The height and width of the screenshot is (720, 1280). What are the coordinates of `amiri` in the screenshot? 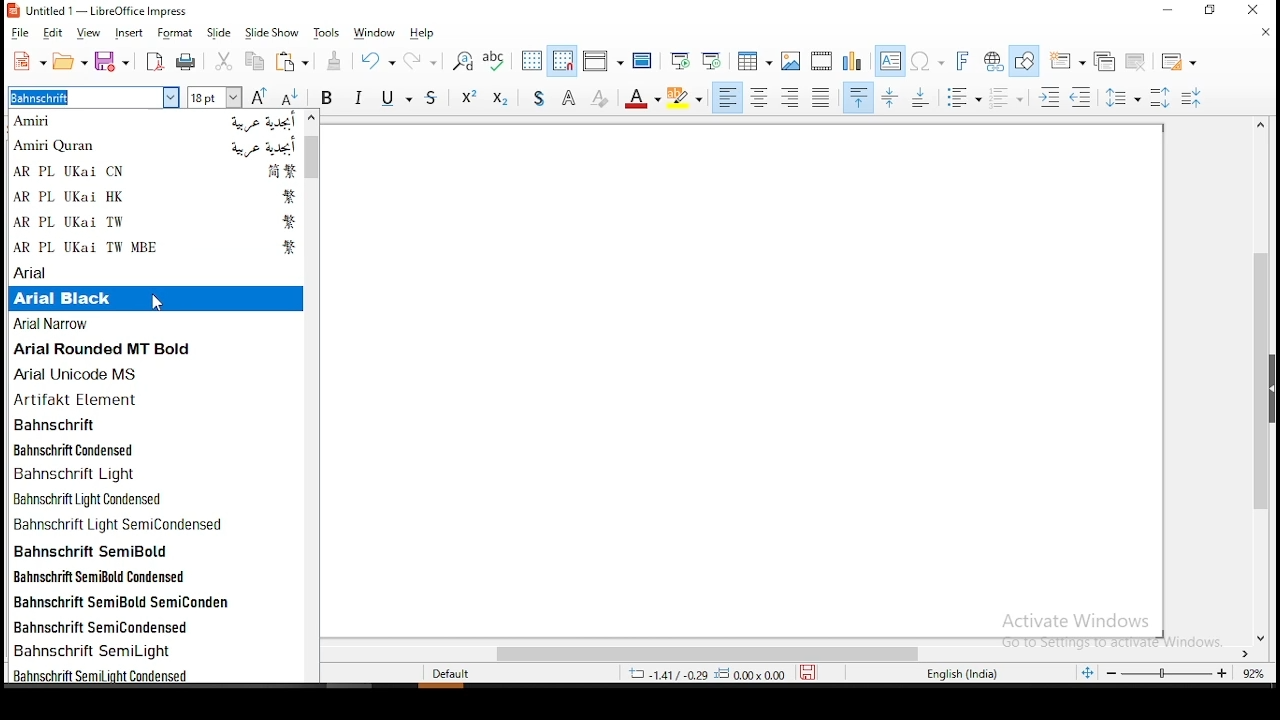 It's located at (158, 122).